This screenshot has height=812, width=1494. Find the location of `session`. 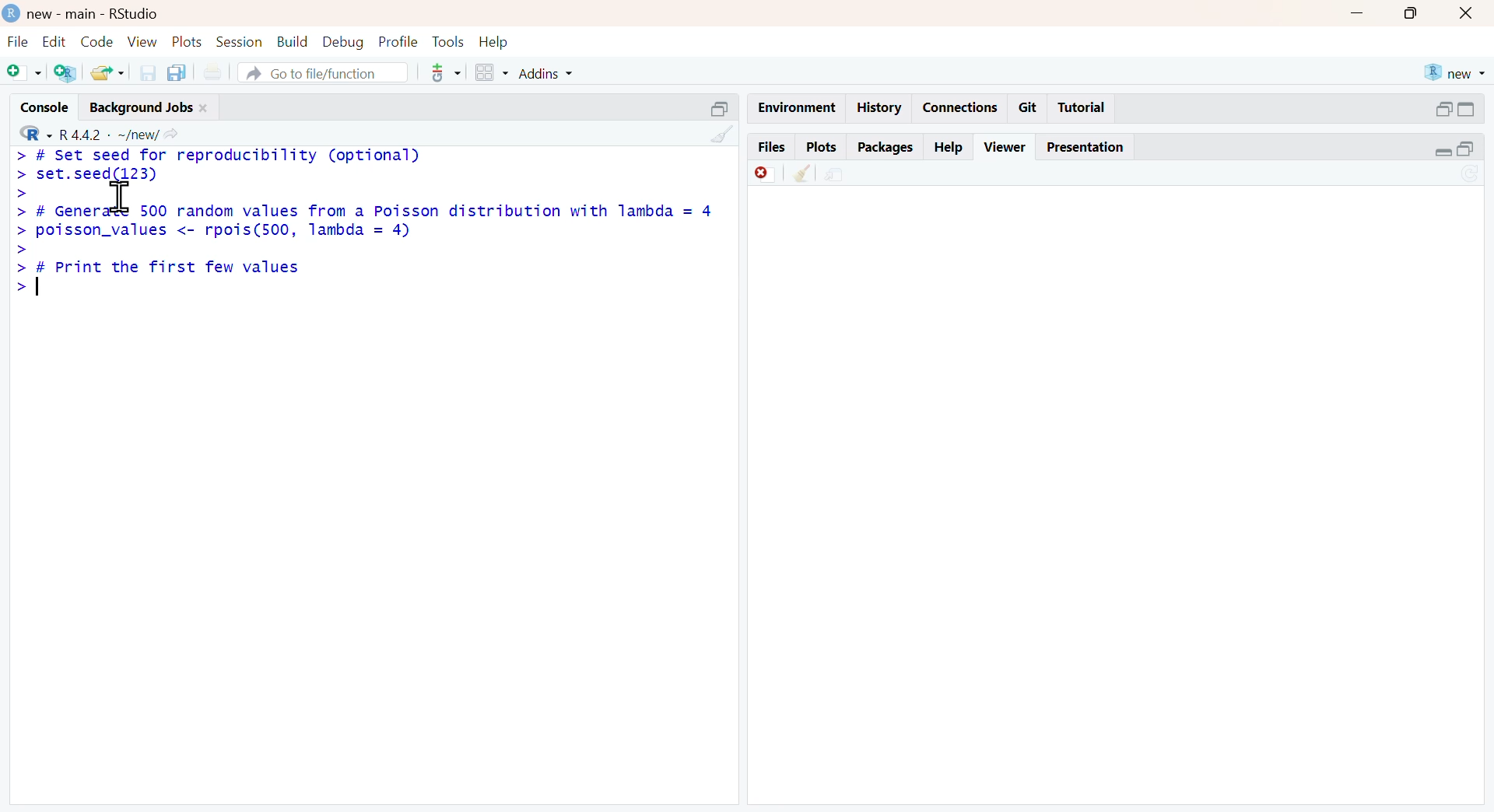

session is located at coordinates (238, 42).